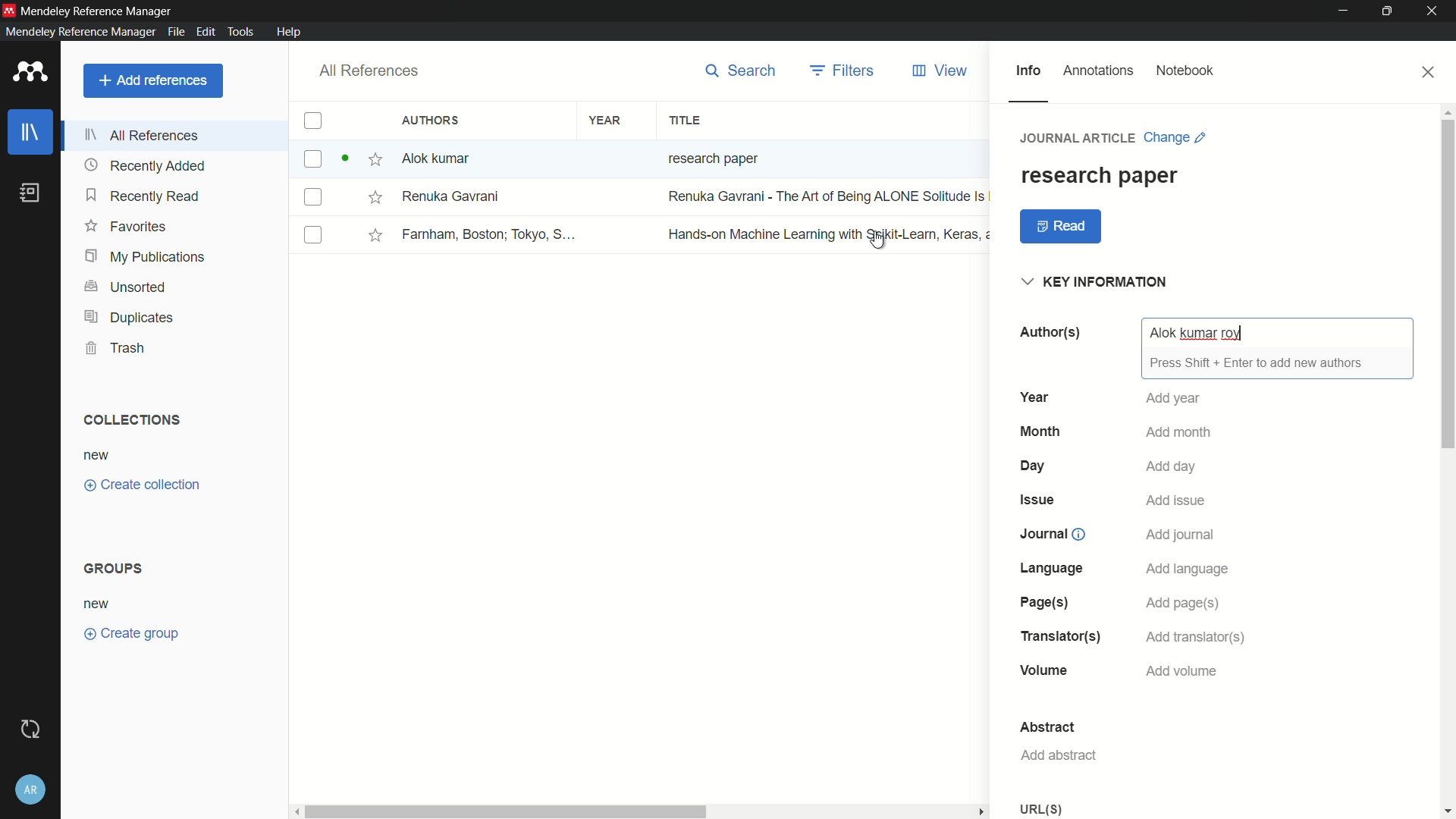 This screenshot has width=1456, height=819. I want to click on add issue, so click(1179, 499).